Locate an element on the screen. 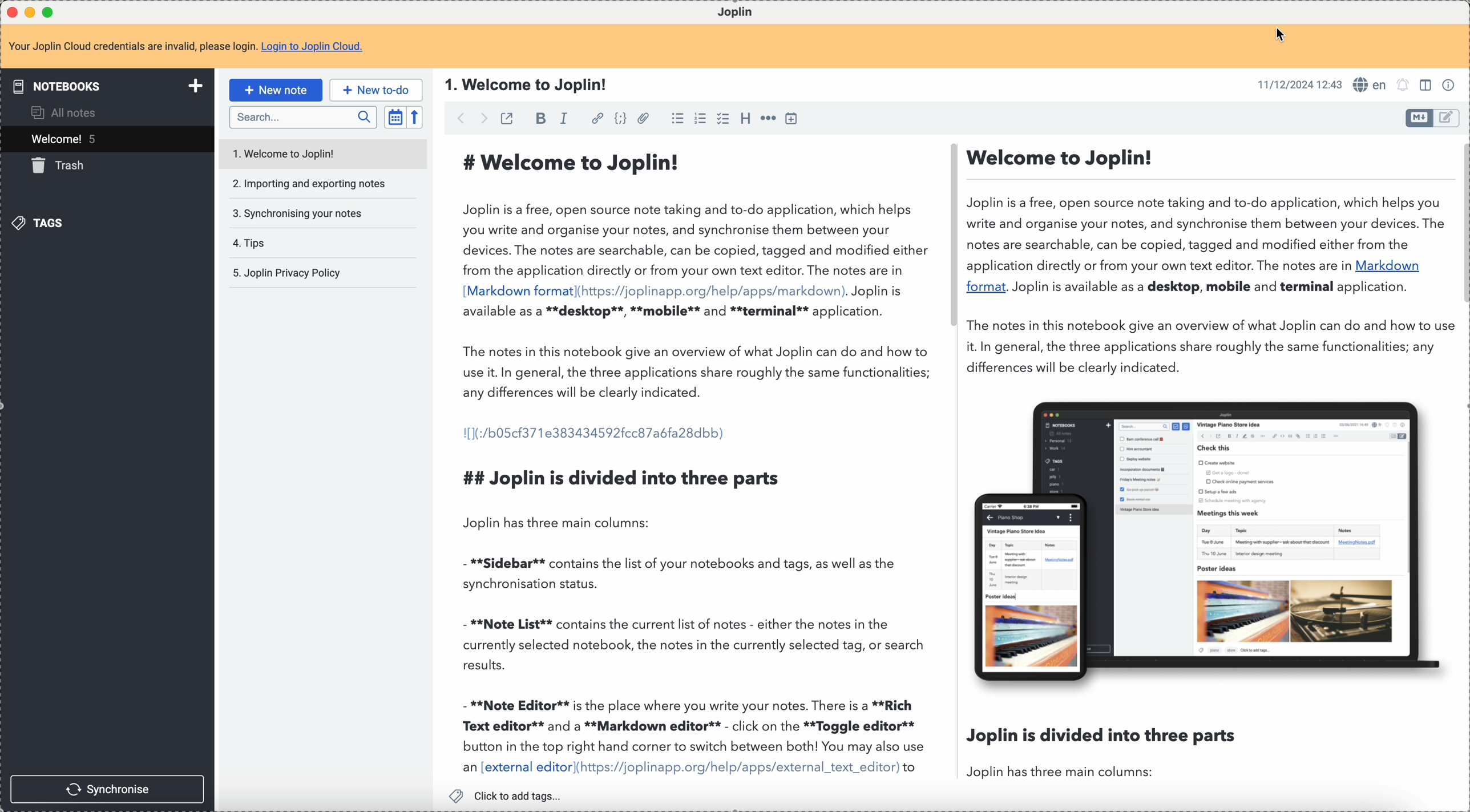 Image resolution: width=1470 pixels, height=812 pixels. to is located at coordinates (910, 767).